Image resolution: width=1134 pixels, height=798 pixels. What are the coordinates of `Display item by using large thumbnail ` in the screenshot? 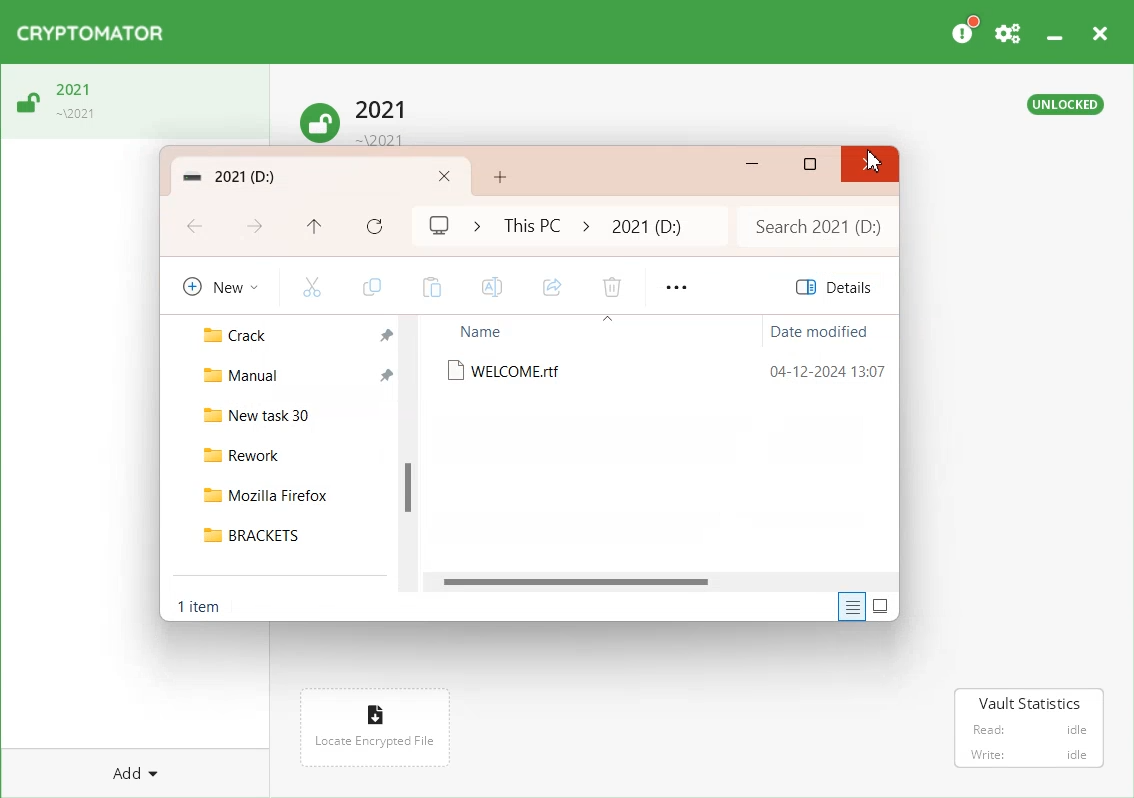 It's located at (885, 606).